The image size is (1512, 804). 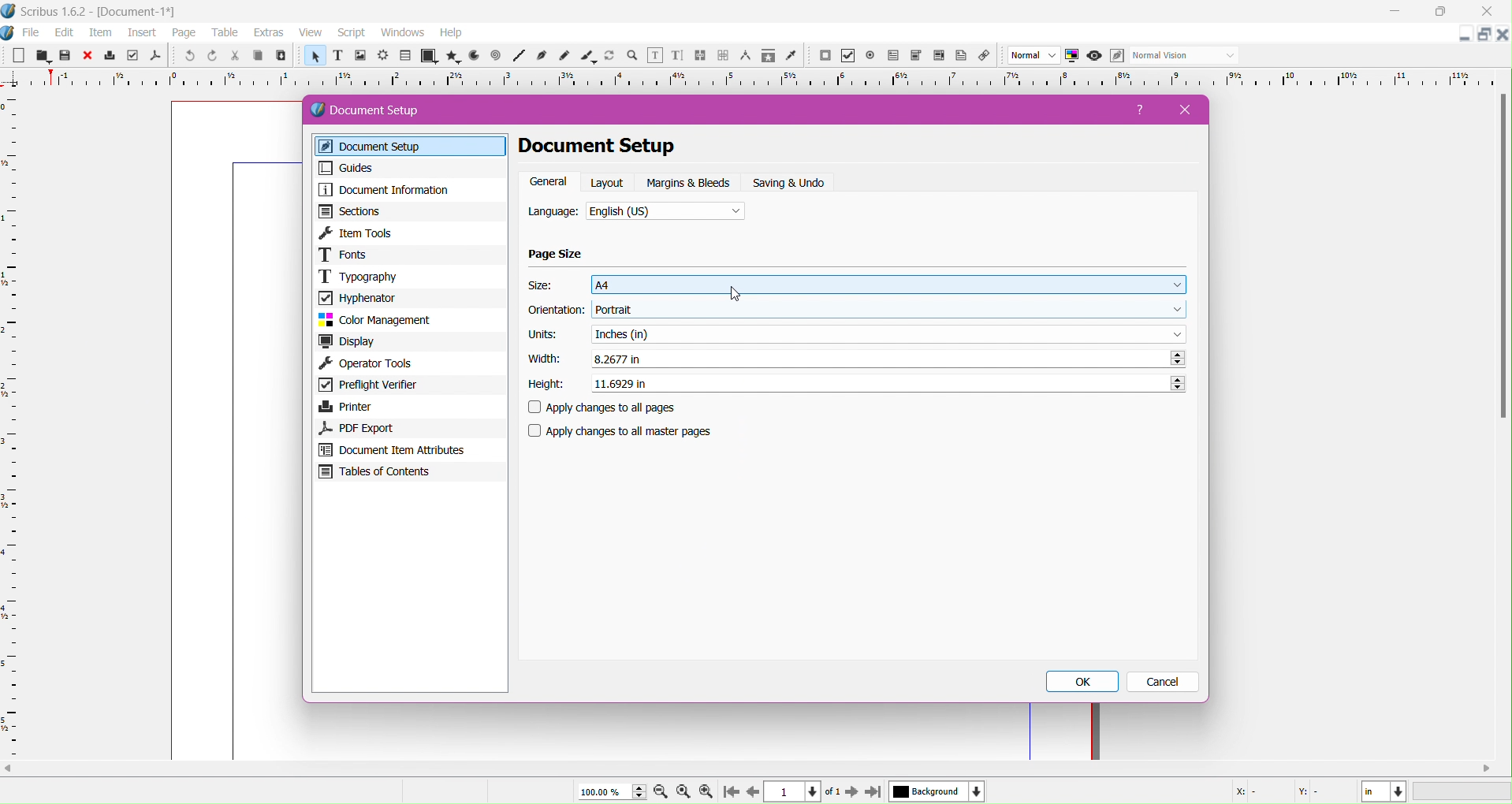 I want to click on Cursor, so click(x=734, y=294).